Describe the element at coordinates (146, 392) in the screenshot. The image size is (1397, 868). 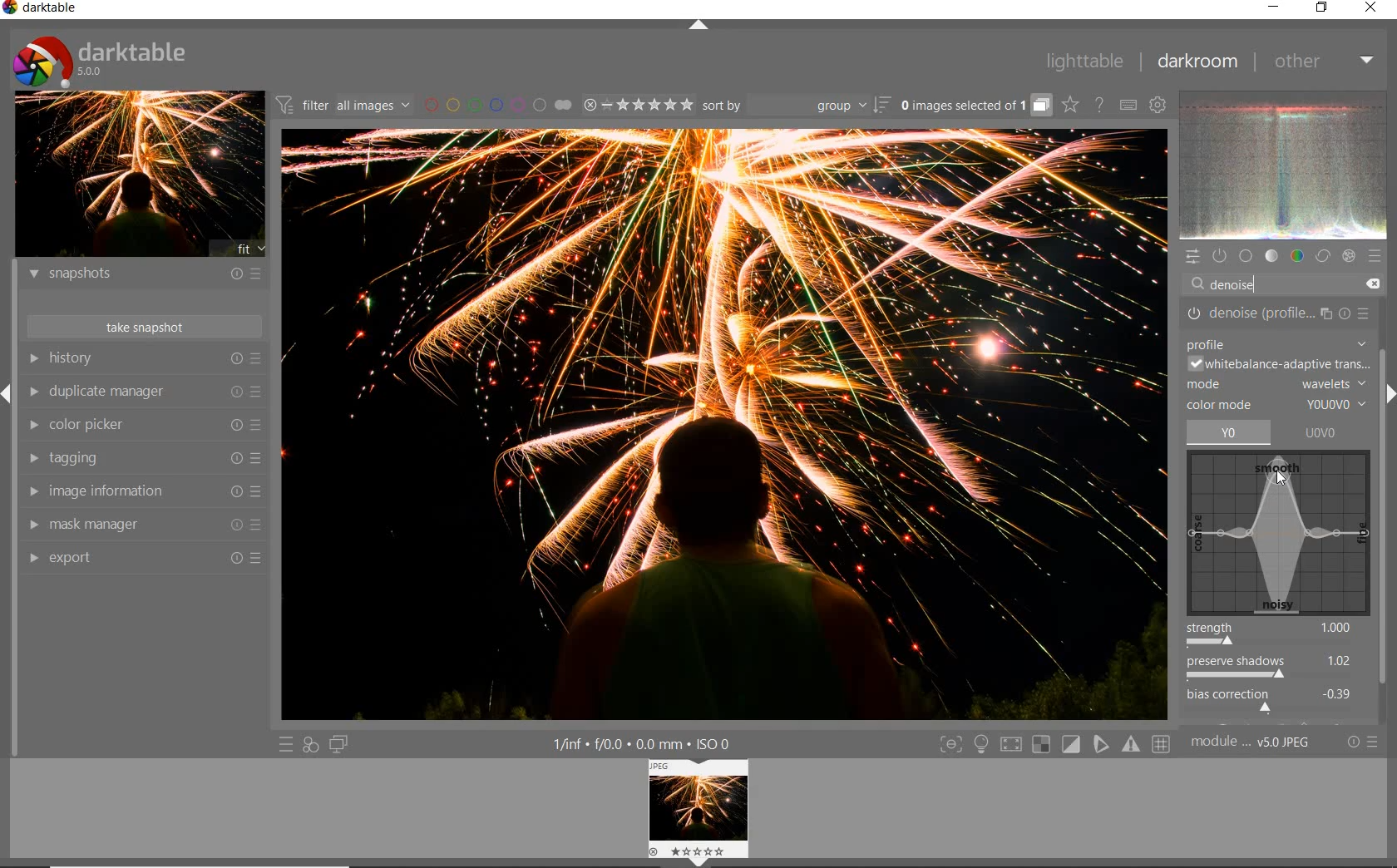
I see `duplicate manager` at that location.